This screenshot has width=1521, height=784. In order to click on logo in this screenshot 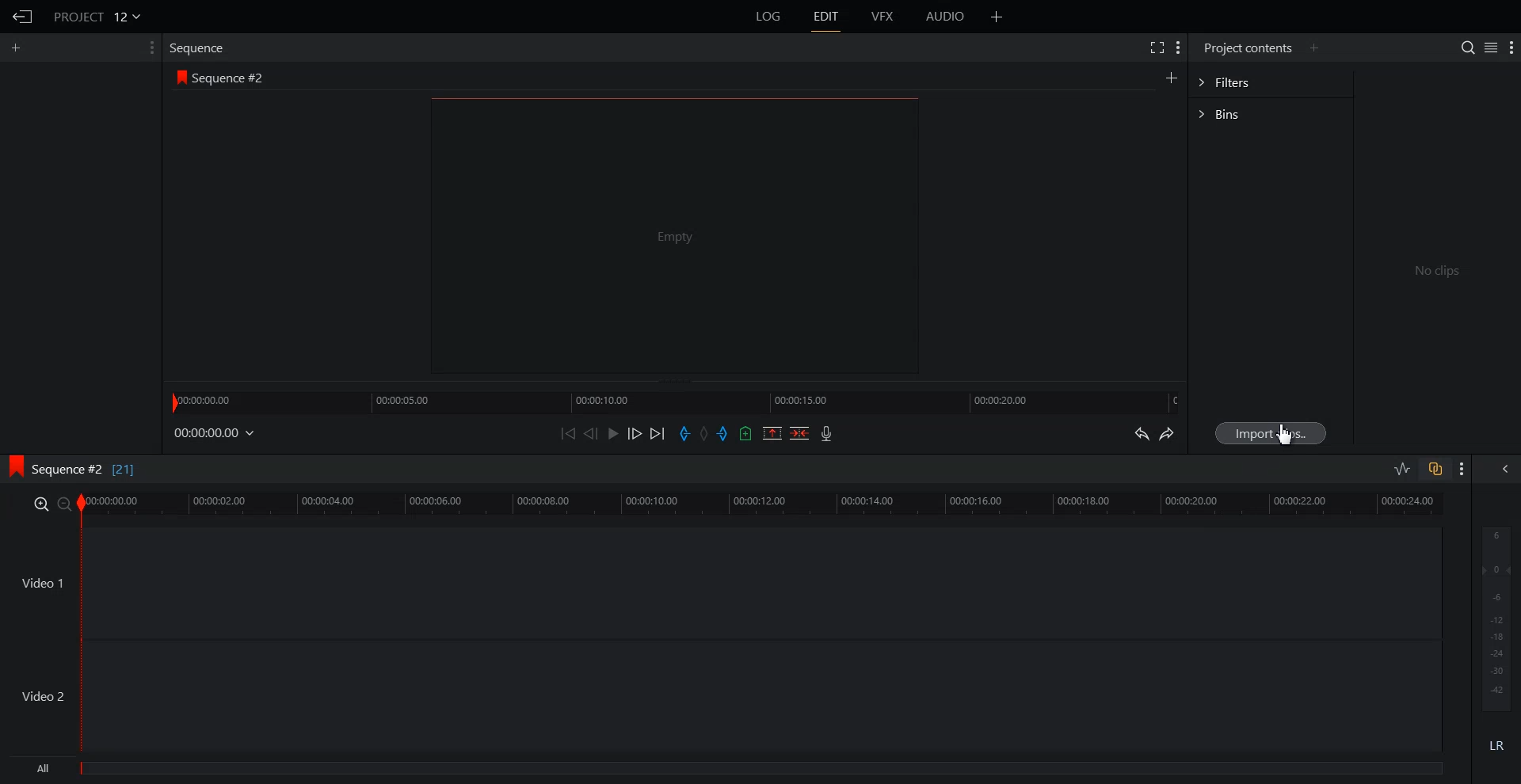, I will do `click(13, 466)`.